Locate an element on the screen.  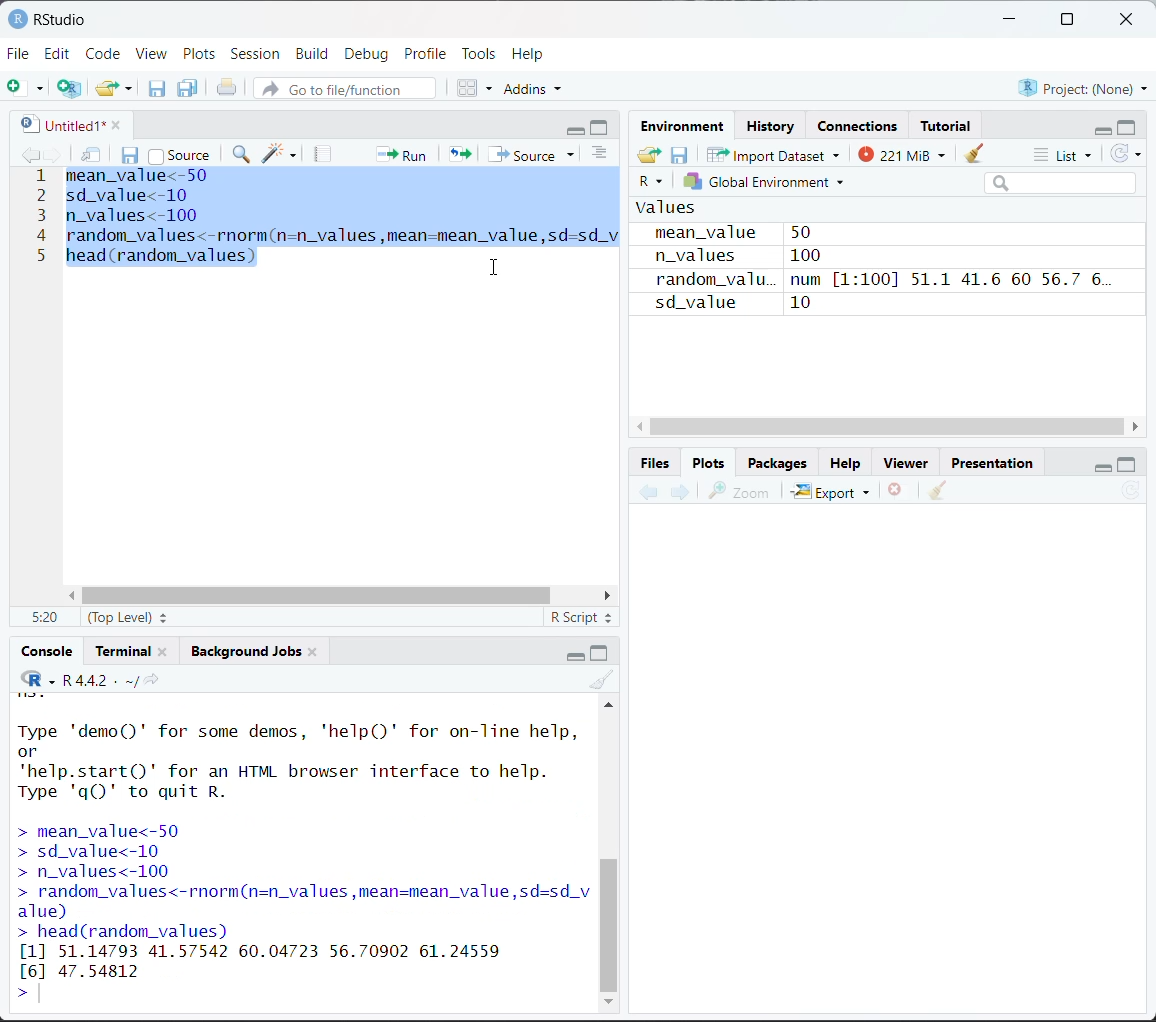
maximize is located at coordinates (1128, 126).